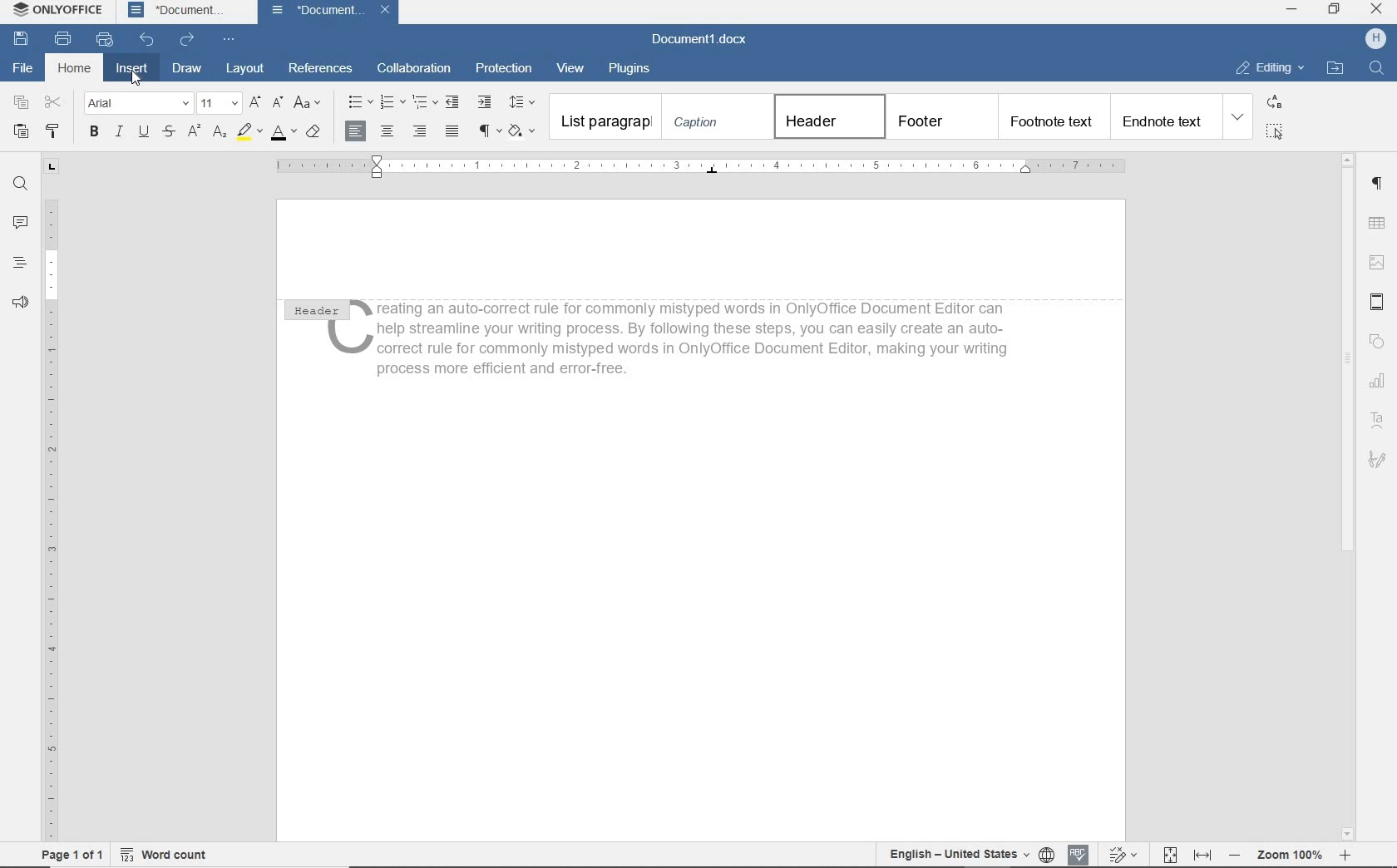 The width and height of the screenshot is (1397, 868). What do you see at coordinates (605, 116) in the screenshot?
I see `NORMAL` at bounding box center [605, 116].